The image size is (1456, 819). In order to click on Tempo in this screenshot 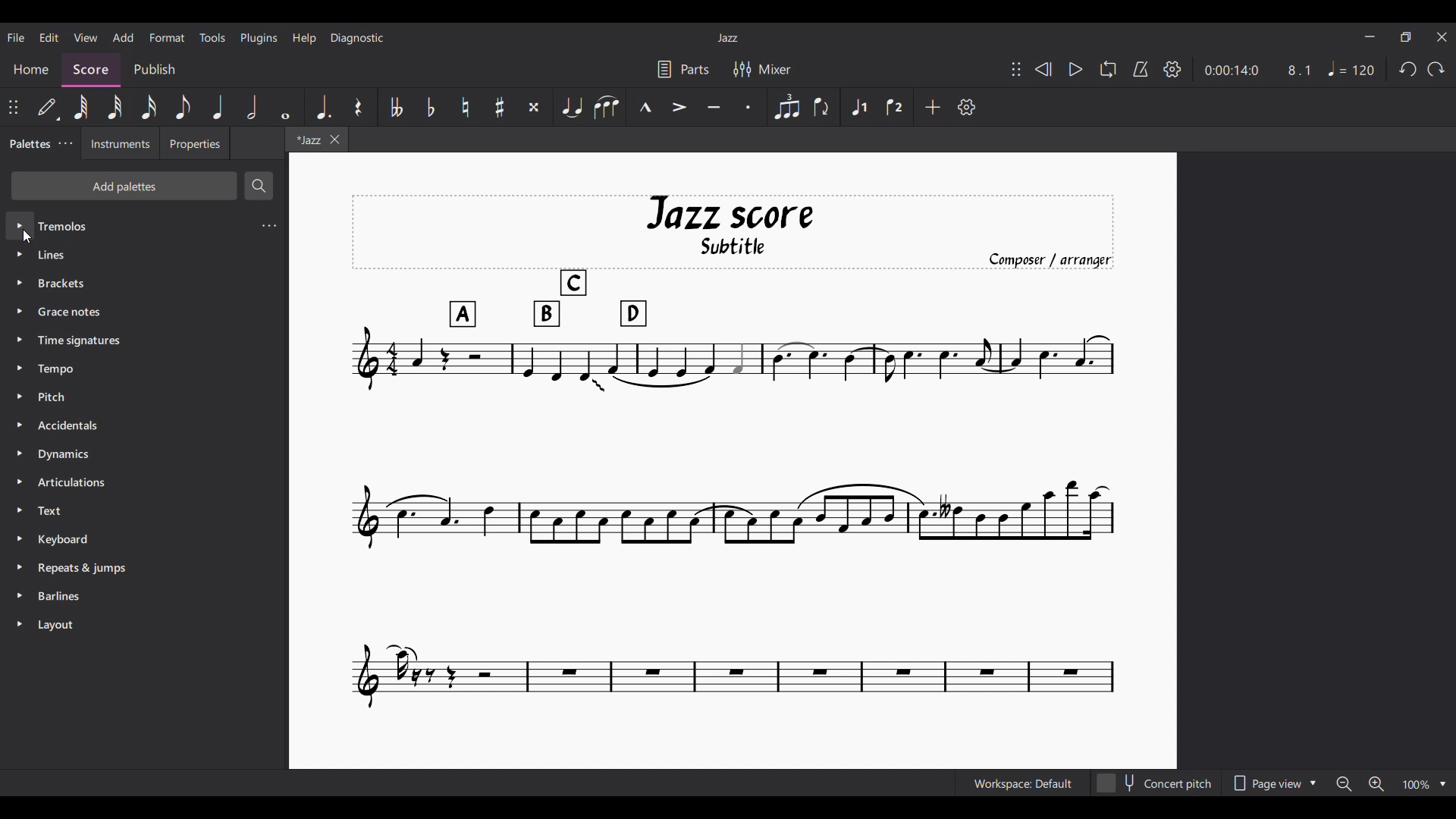, I will do `click(1351, 68)`.